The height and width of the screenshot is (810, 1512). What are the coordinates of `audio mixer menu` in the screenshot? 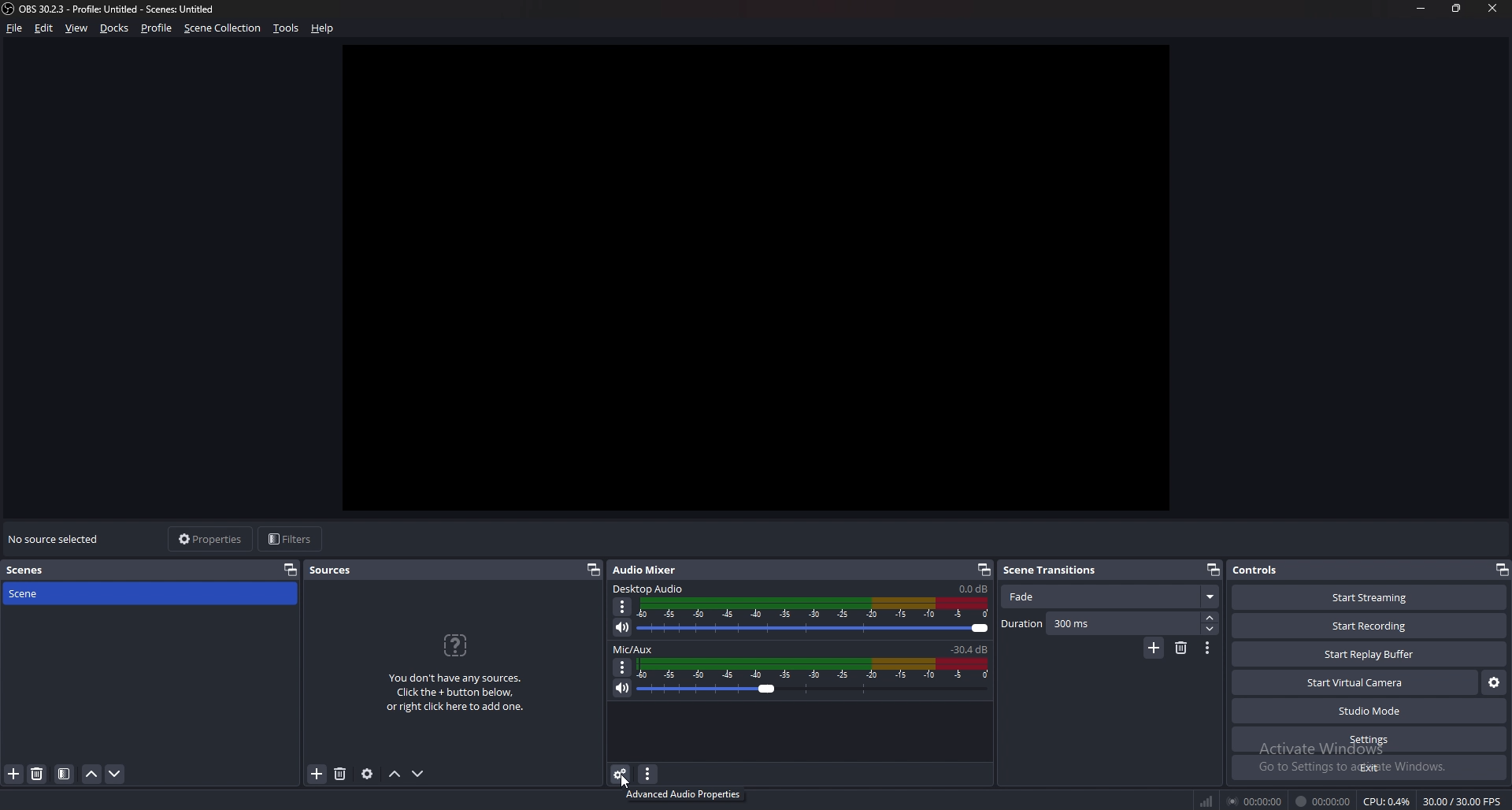 It's located at (647, 775).